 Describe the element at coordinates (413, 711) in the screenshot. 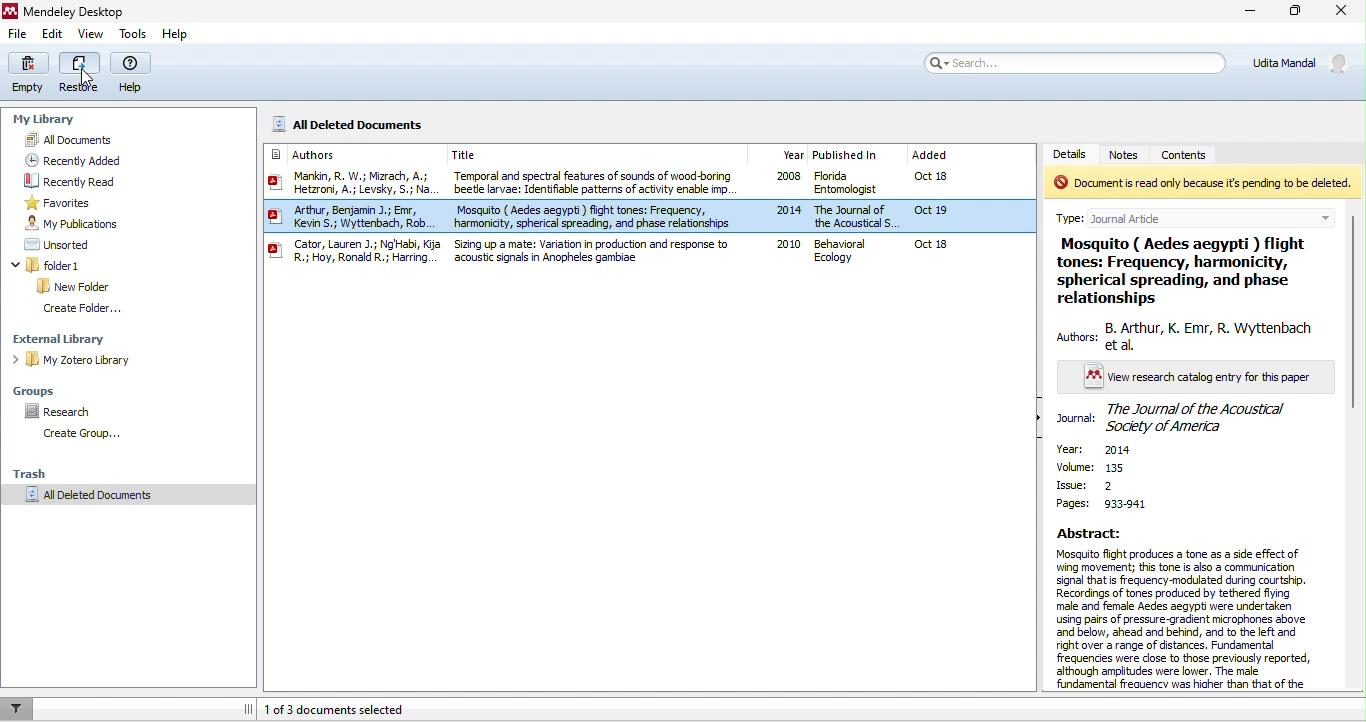

I see `1 of 3 documents selected` at that location.